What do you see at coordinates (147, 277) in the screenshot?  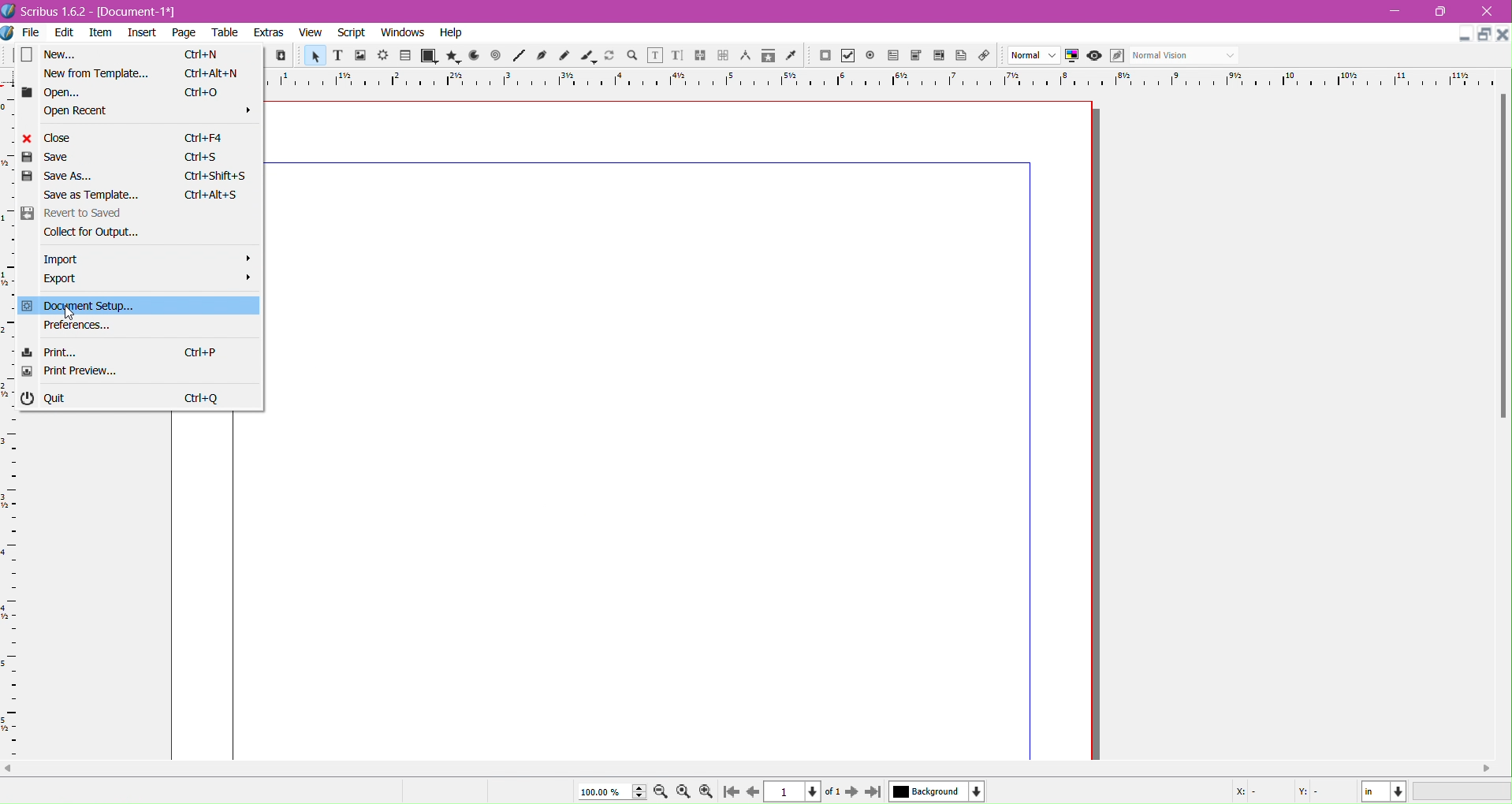 I see `export` at bounding box center [147, 277].